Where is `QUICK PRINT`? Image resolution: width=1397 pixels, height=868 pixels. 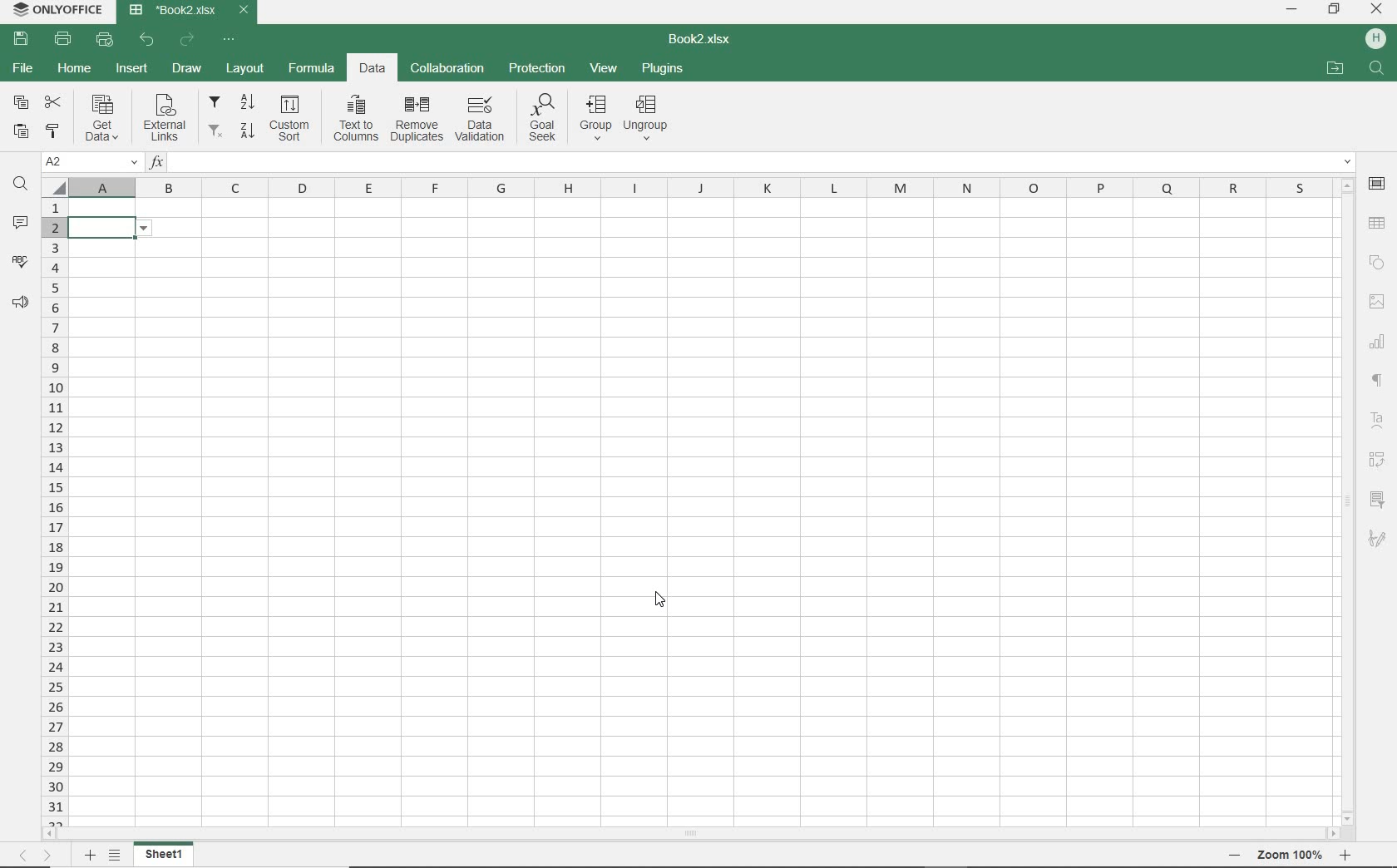
QUICK PRINT is located at coordinates (102, 37).